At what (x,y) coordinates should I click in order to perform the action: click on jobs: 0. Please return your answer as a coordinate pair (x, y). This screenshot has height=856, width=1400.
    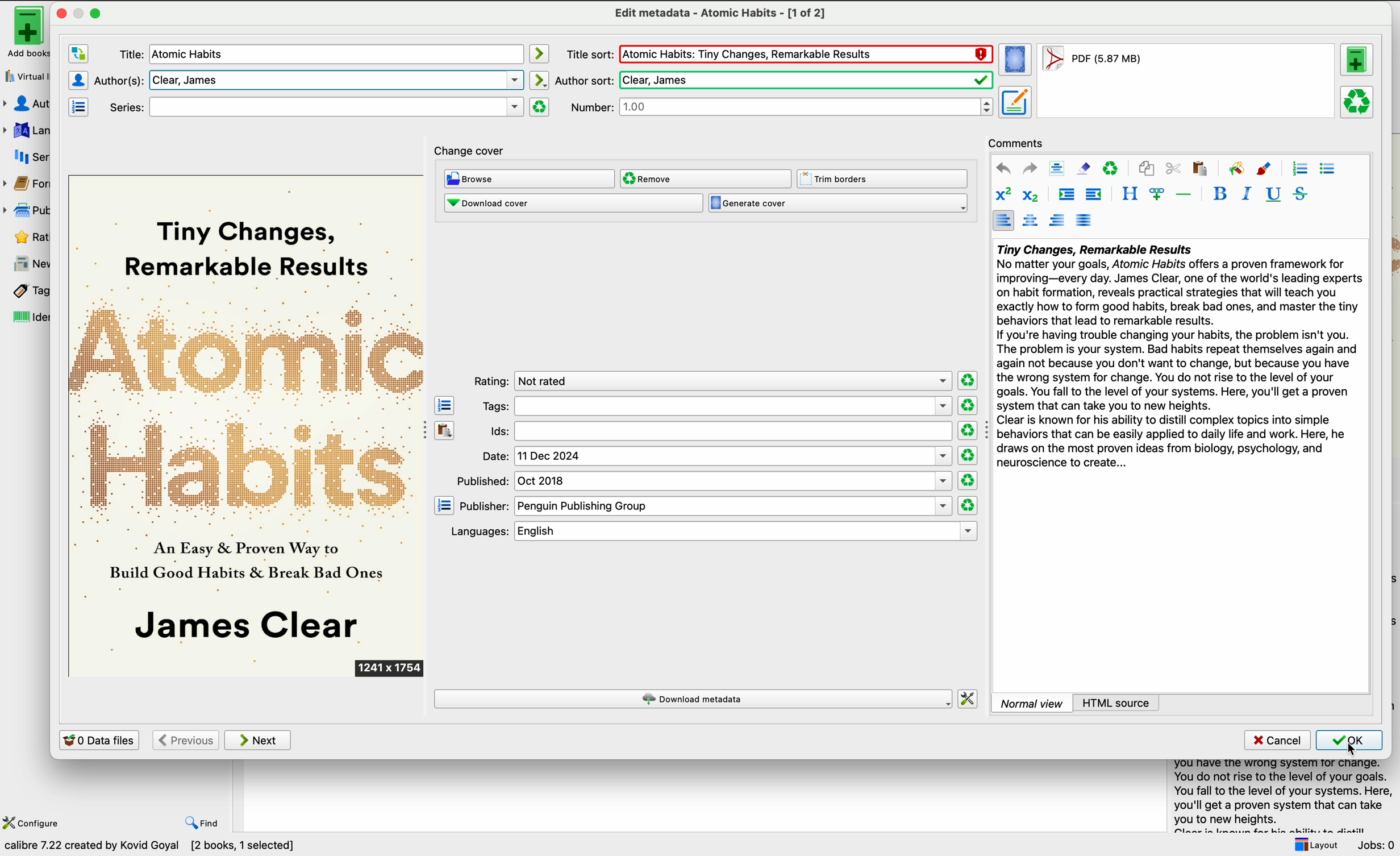
    Looking at the image, I should click on (1377, 845).